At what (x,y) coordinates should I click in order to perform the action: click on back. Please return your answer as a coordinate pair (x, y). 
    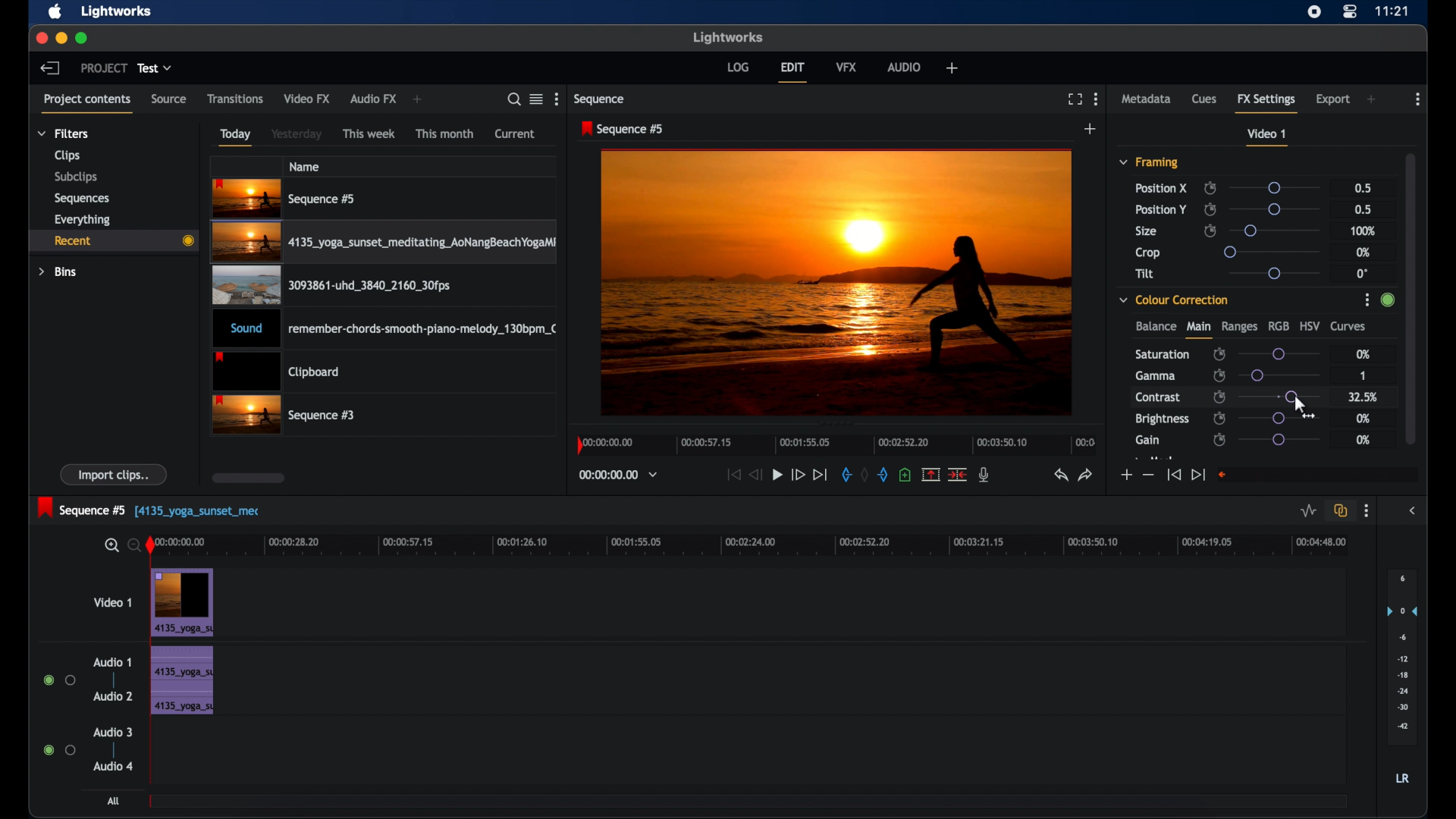
    Looking at the image, I should click on (49, 67).